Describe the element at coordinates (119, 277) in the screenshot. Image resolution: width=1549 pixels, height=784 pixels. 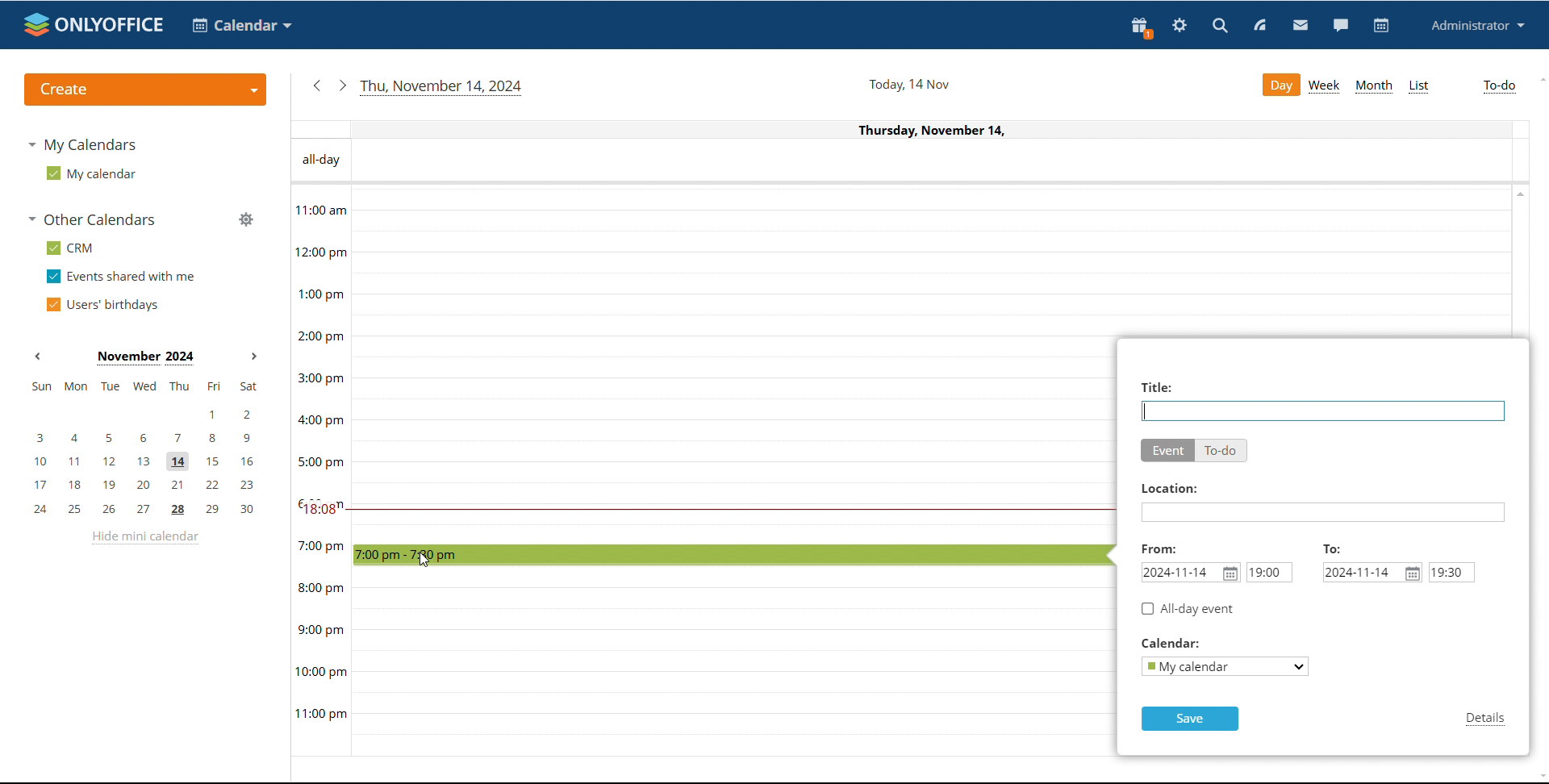
I see `events shared with me` at that location.